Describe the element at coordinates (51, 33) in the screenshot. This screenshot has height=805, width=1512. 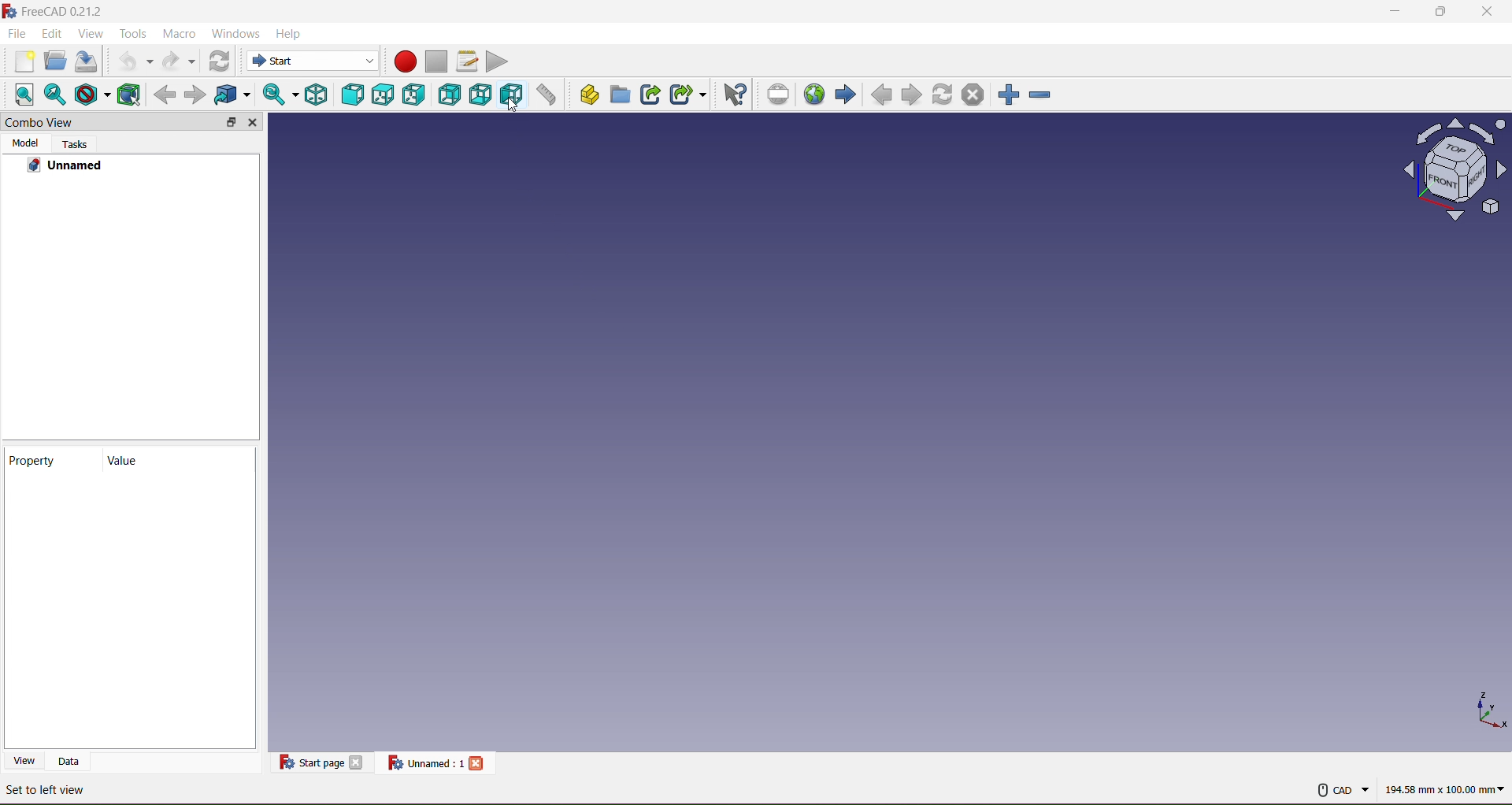
I see `Edit` at that location.